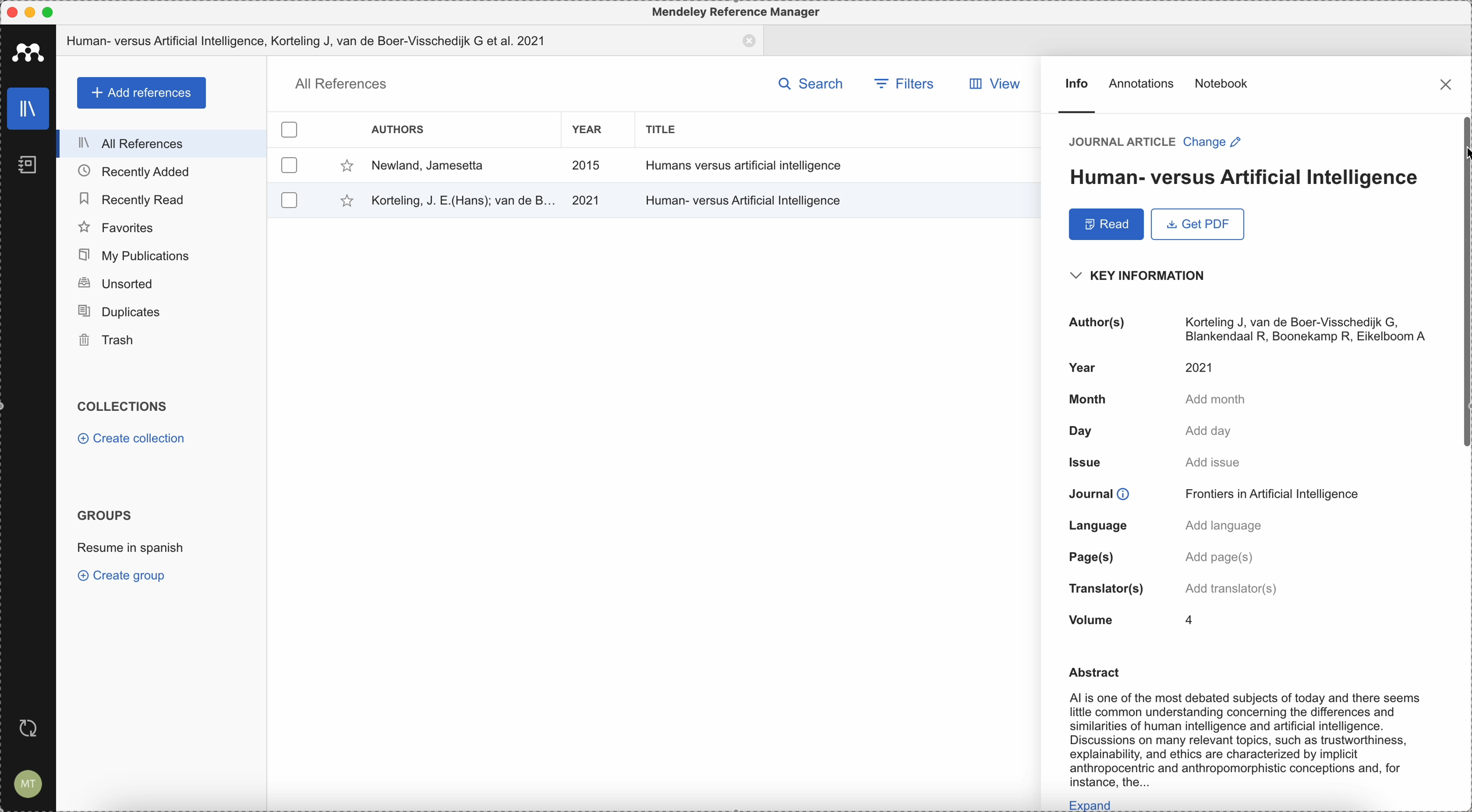 The image size is (1472, 812). I want to click on collections, so click(127, 407).